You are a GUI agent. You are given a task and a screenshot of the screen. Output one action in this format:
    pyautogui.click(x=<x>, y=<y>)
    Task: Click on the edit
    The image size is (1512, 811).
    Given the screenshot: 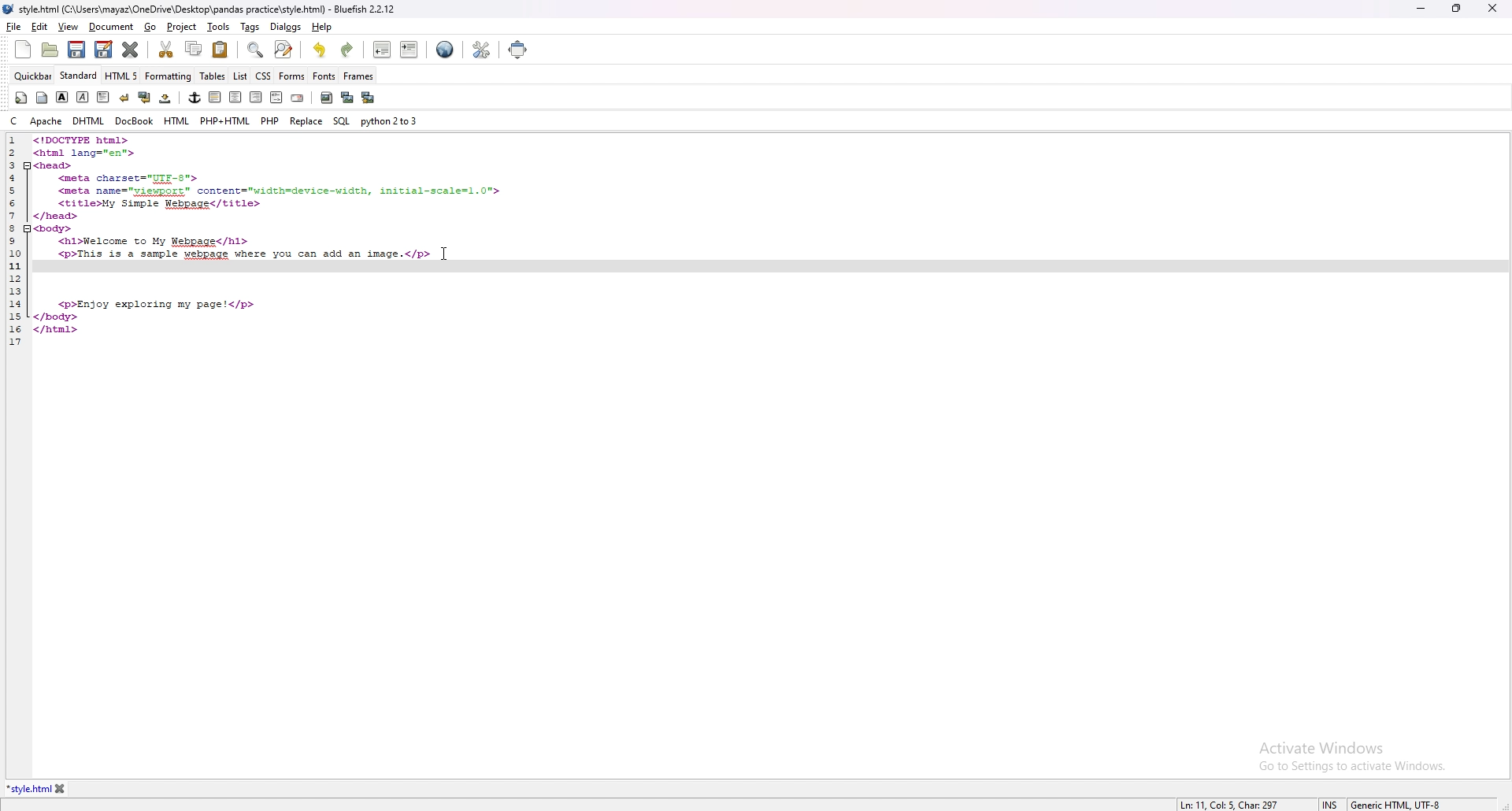 What is the action you would take?
    pyautogui.click(x=39, y=27)
    